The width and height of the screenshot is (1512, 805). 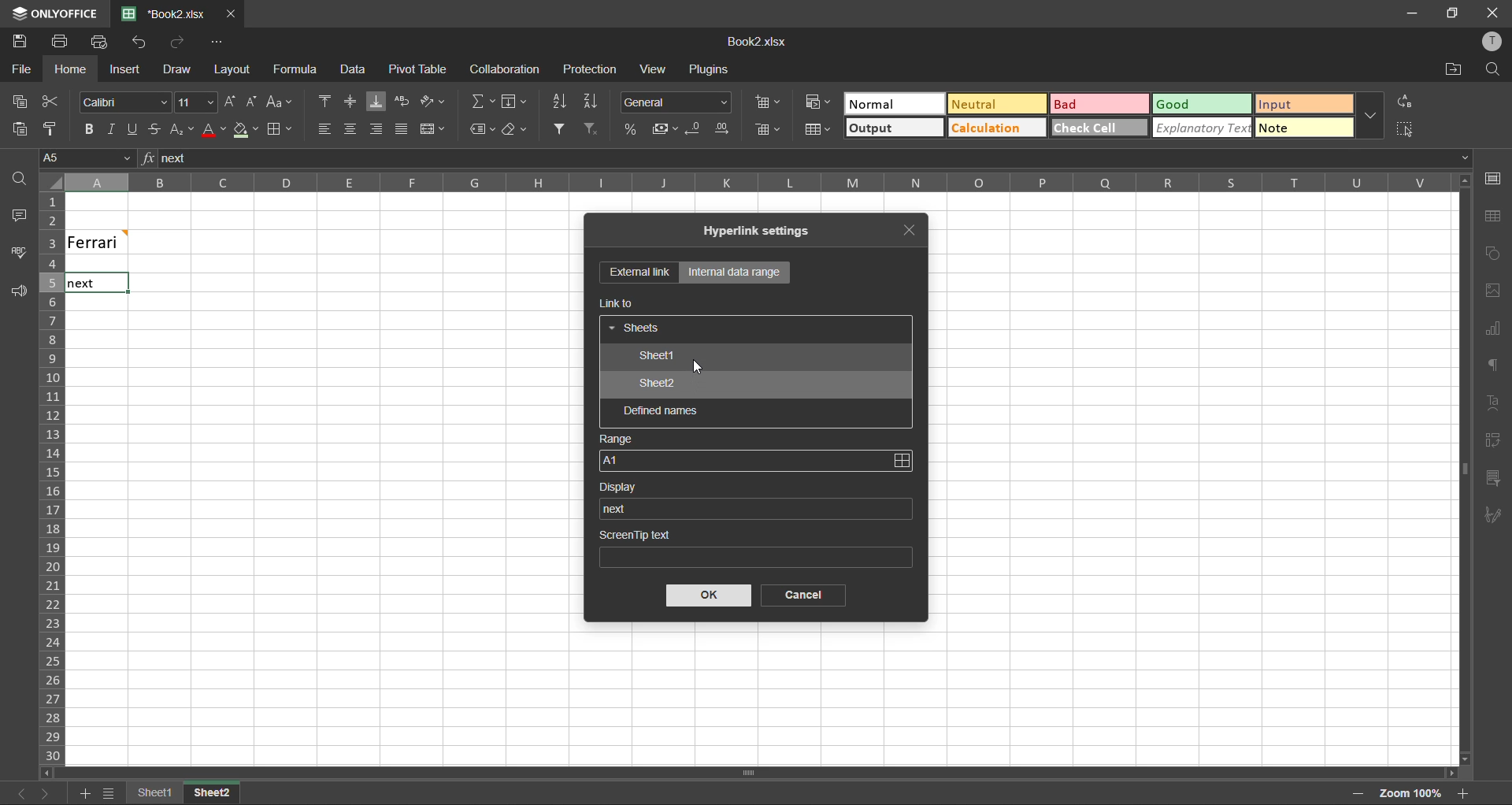 What do you see at coordinates (592, 102) in the screenshot?
I see `sort descending` at bounding box center [592, 102].